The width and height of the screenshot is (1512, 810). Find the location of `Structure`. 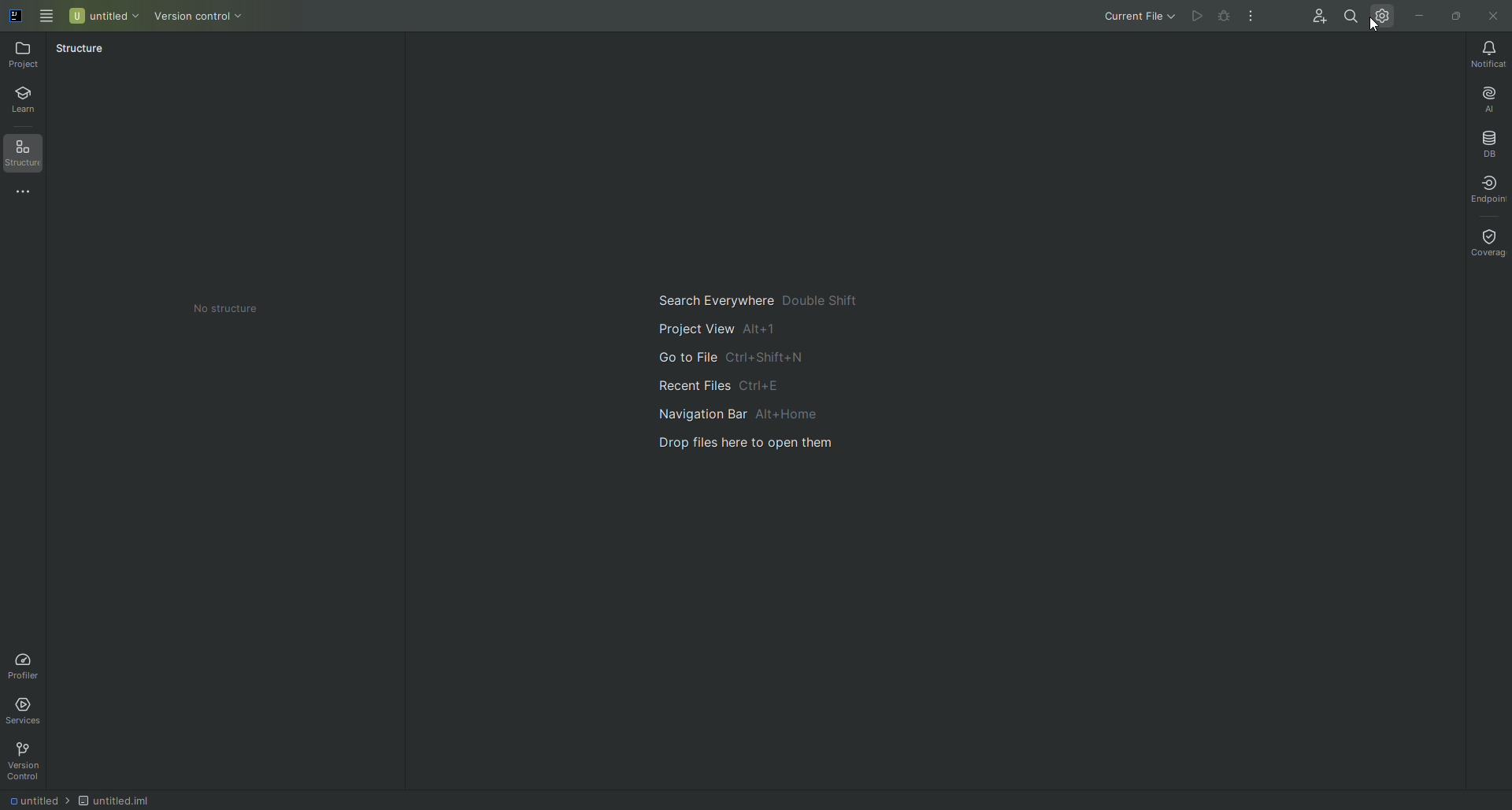

Structure is located at coordinates (26, 152).